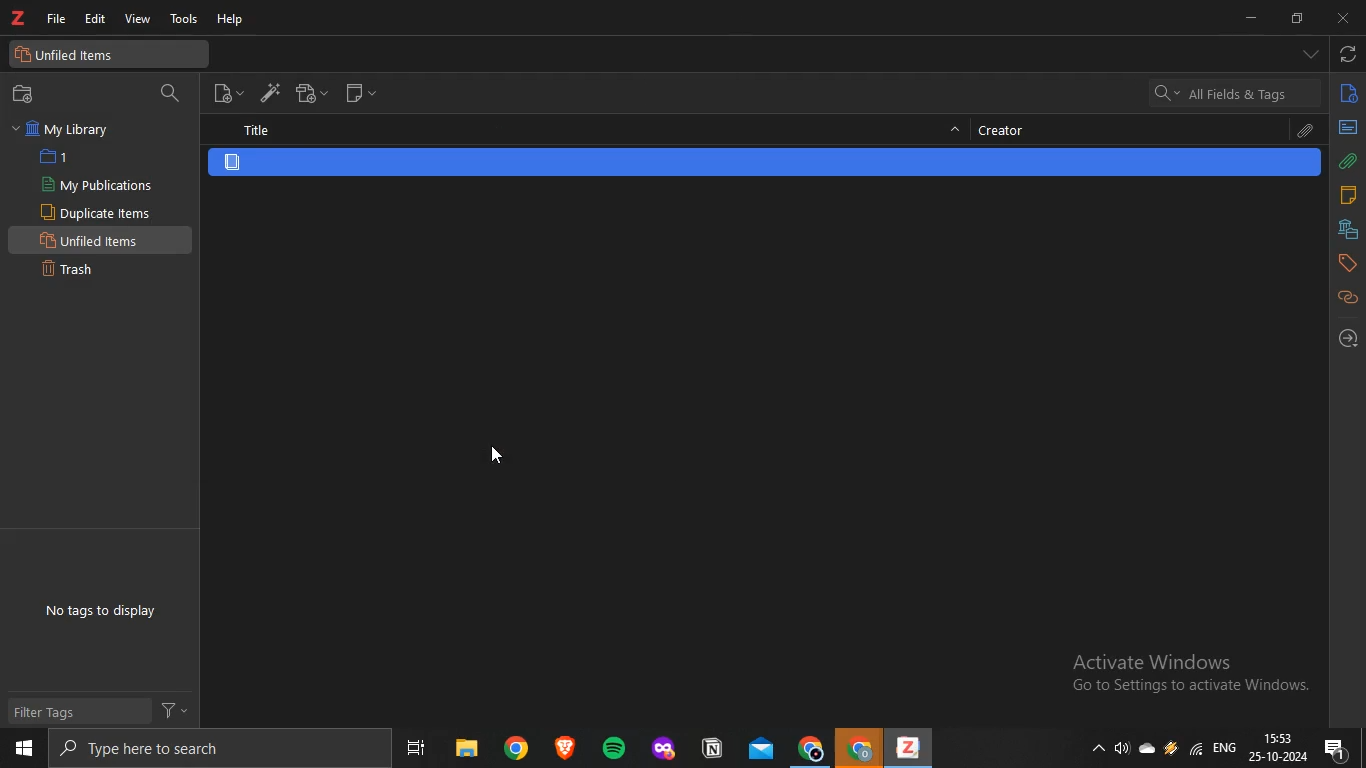  Describe the element at coordinates (64, 129) in the screenshot. I see `My Library` at that location.